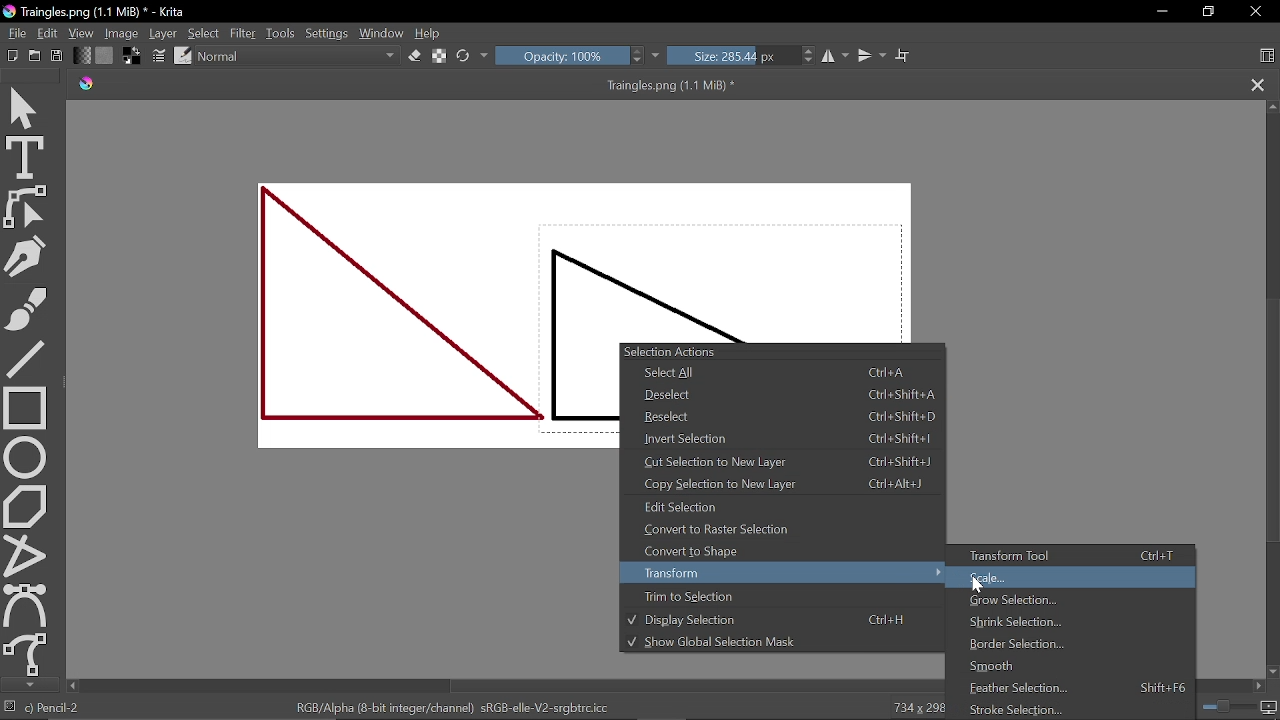 This screenshot has height=720, width=1280. I want to click on Select All, so click(777, 373).